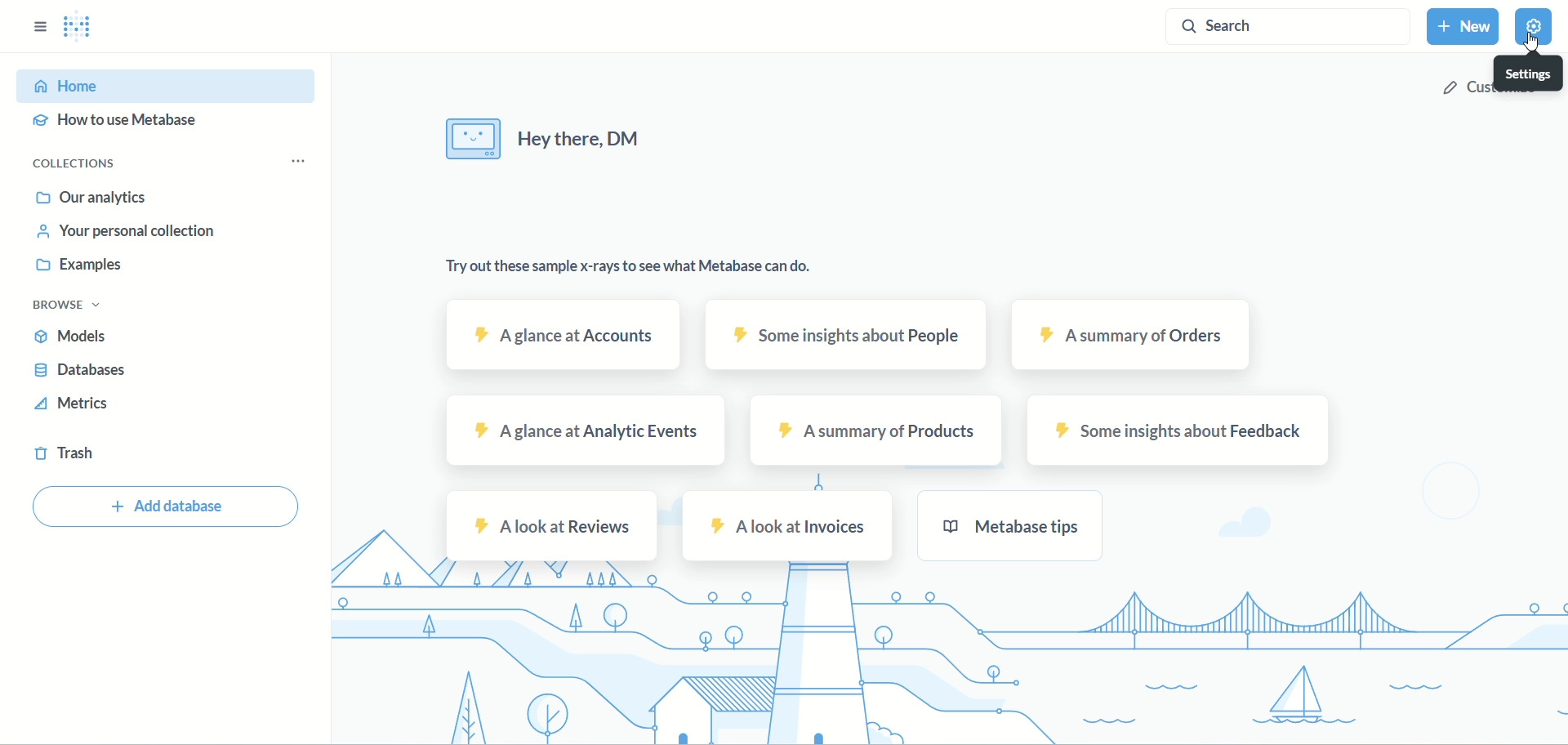 This screenshot has width=1568, height=745. Describe the element at coordinates (629, 269) in the screenshot. I see `text` at that location.